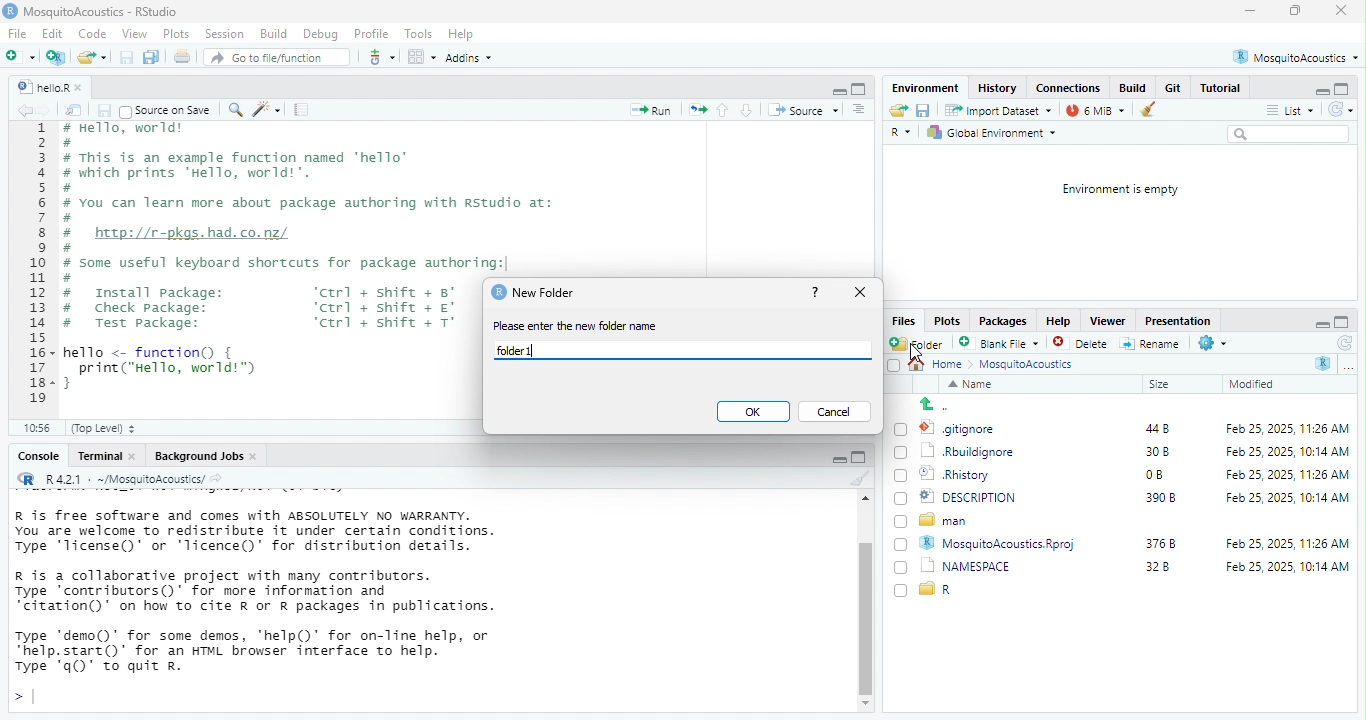 This screenshot has width=1366, height=720. What do you see at coordinates (84, 85) in the screenshot?
I see `close` at bounding box center [84, 85].